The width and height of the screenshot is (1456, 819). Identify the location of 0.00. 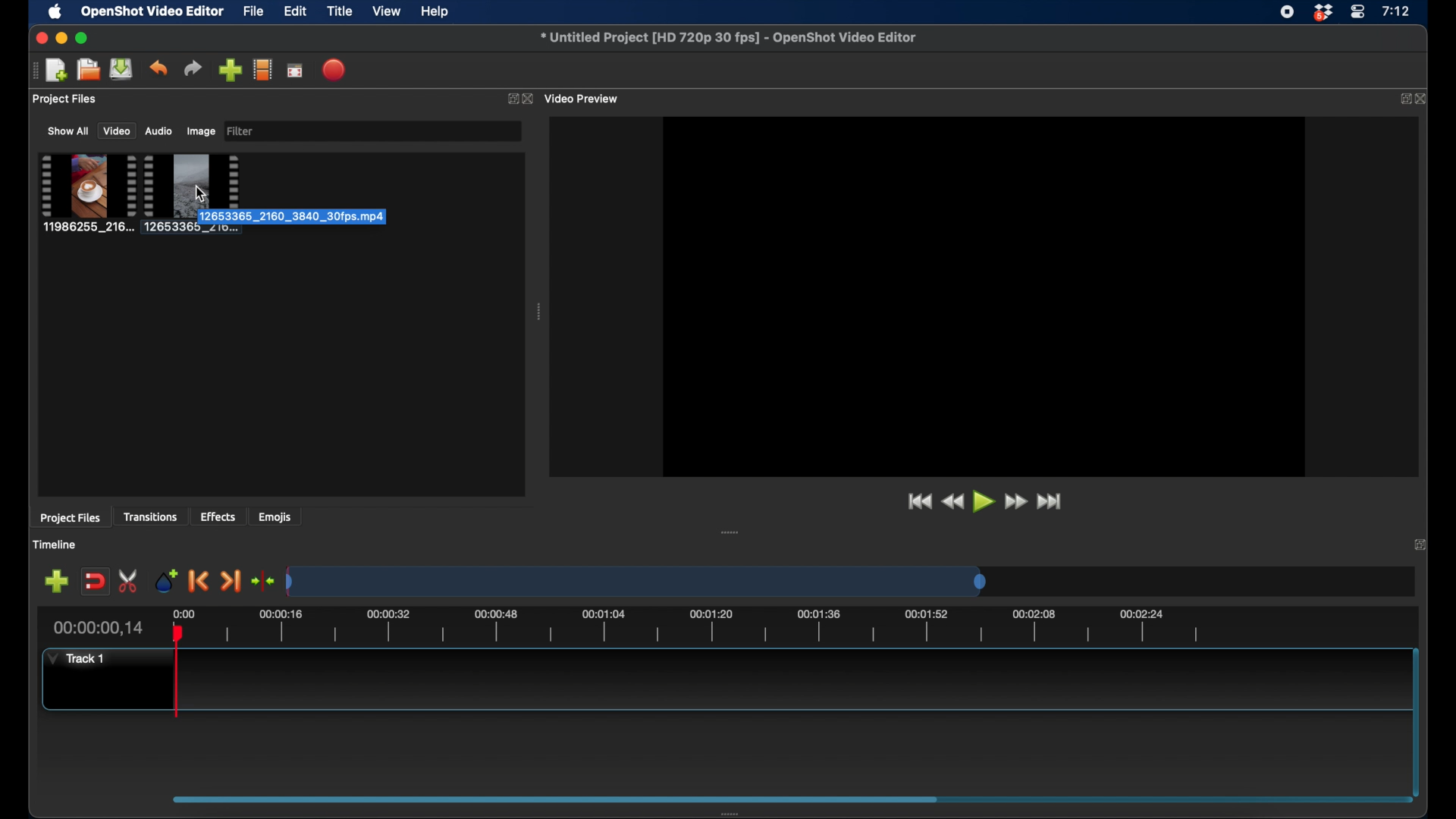
(183, 613).